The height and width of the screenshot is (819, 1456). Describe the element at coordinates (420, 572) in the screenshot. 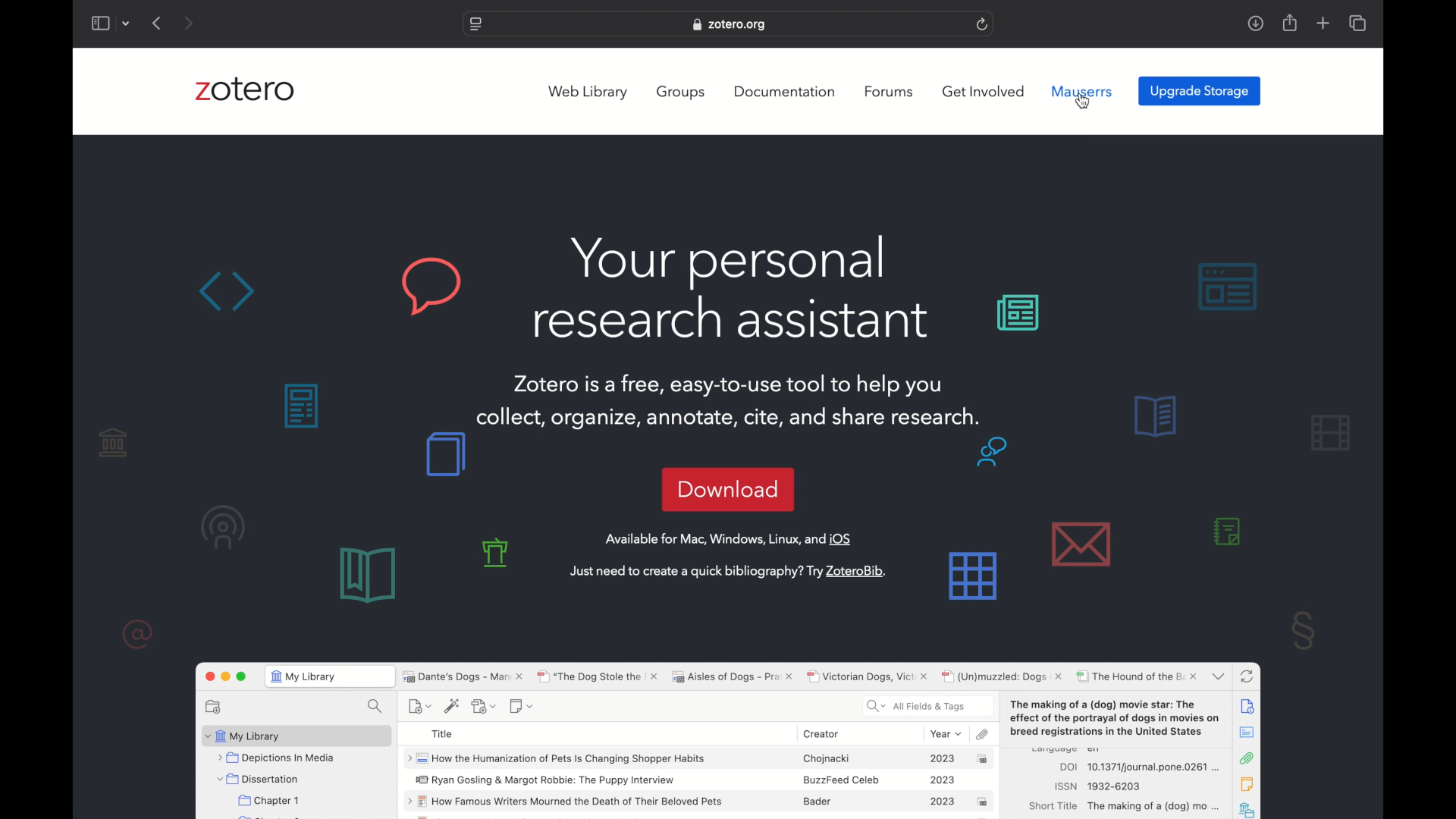

I see `background graphics` at that location.